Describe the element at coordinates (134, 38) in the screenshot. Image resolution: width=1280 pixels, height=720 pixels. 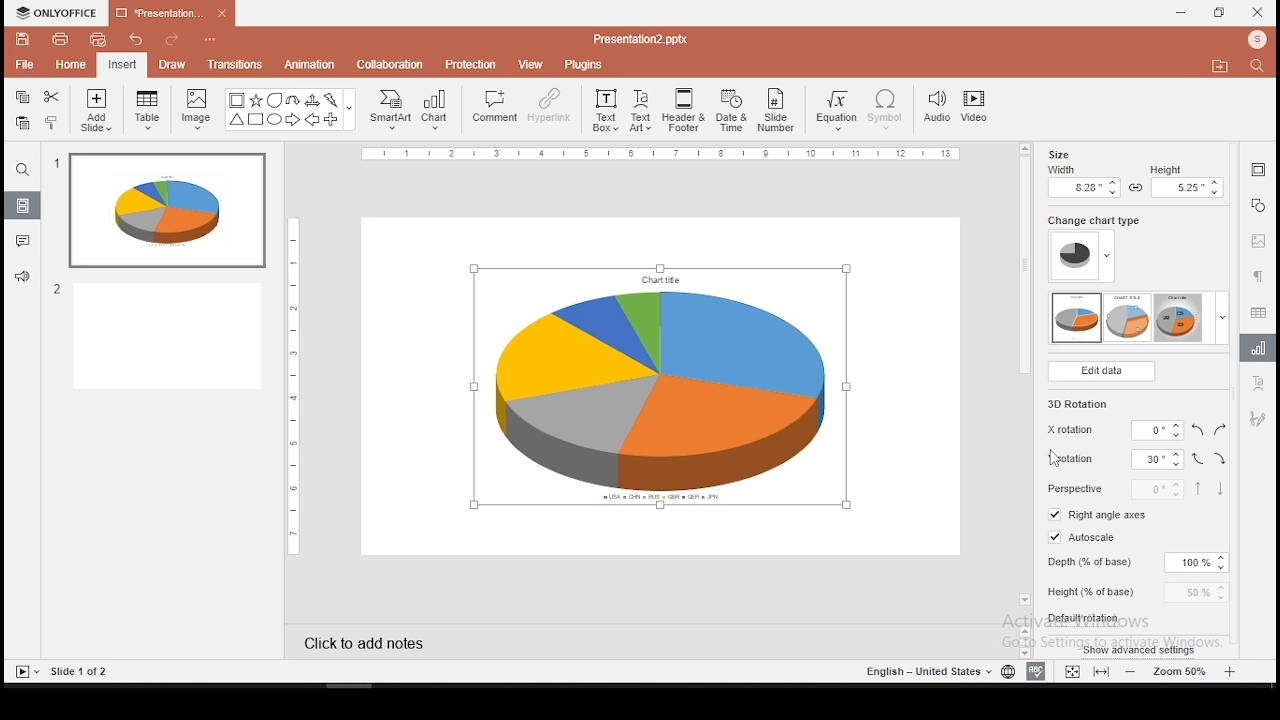
I see `undo` at that location.